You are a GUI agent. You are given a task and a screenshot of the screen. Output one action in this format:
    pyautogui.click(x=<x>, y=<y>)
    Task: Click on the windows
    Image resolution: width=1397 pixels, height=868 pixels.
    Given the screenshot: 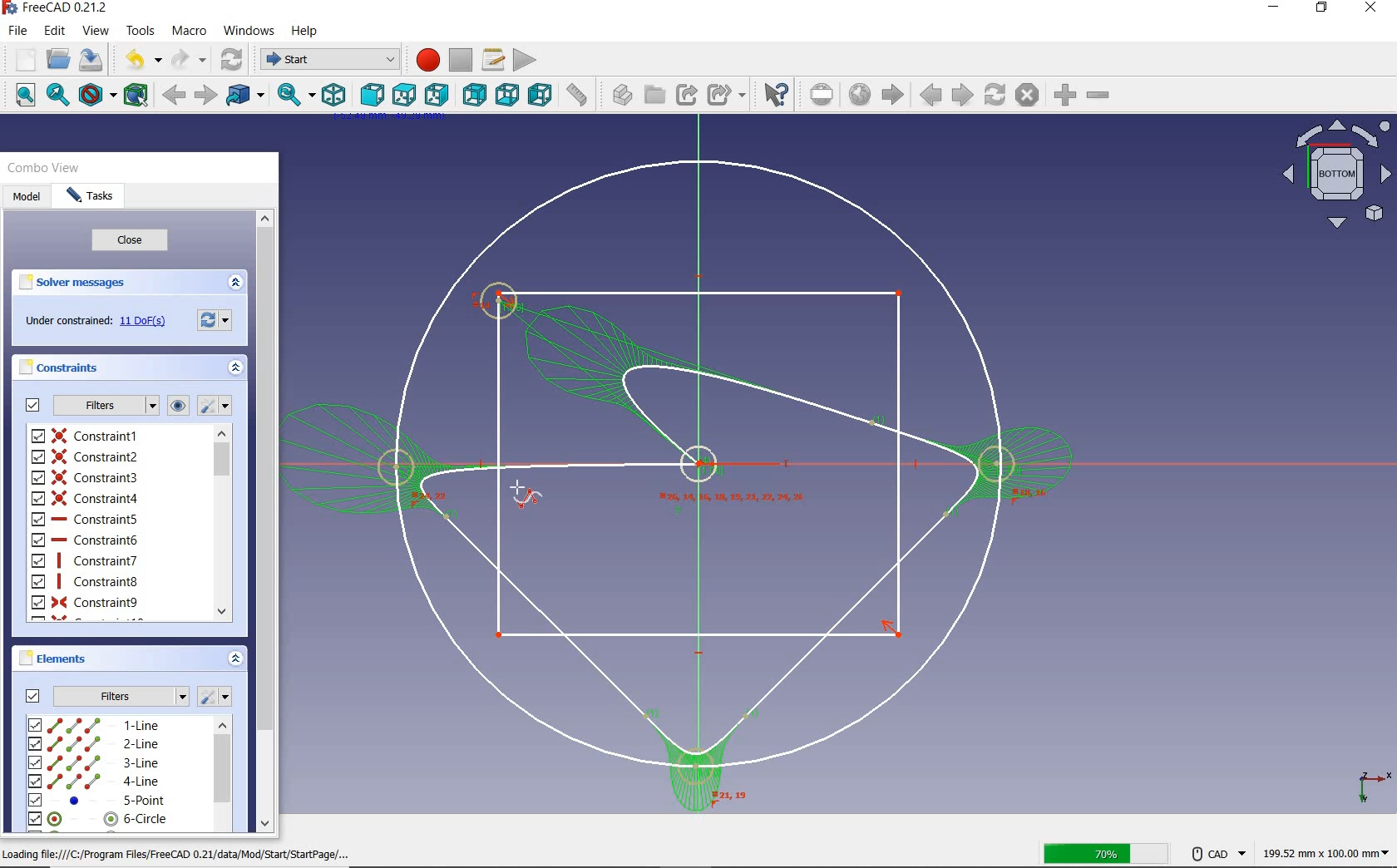 What is the action you would take?
    pyautogui.click(x=250, y=30)
    